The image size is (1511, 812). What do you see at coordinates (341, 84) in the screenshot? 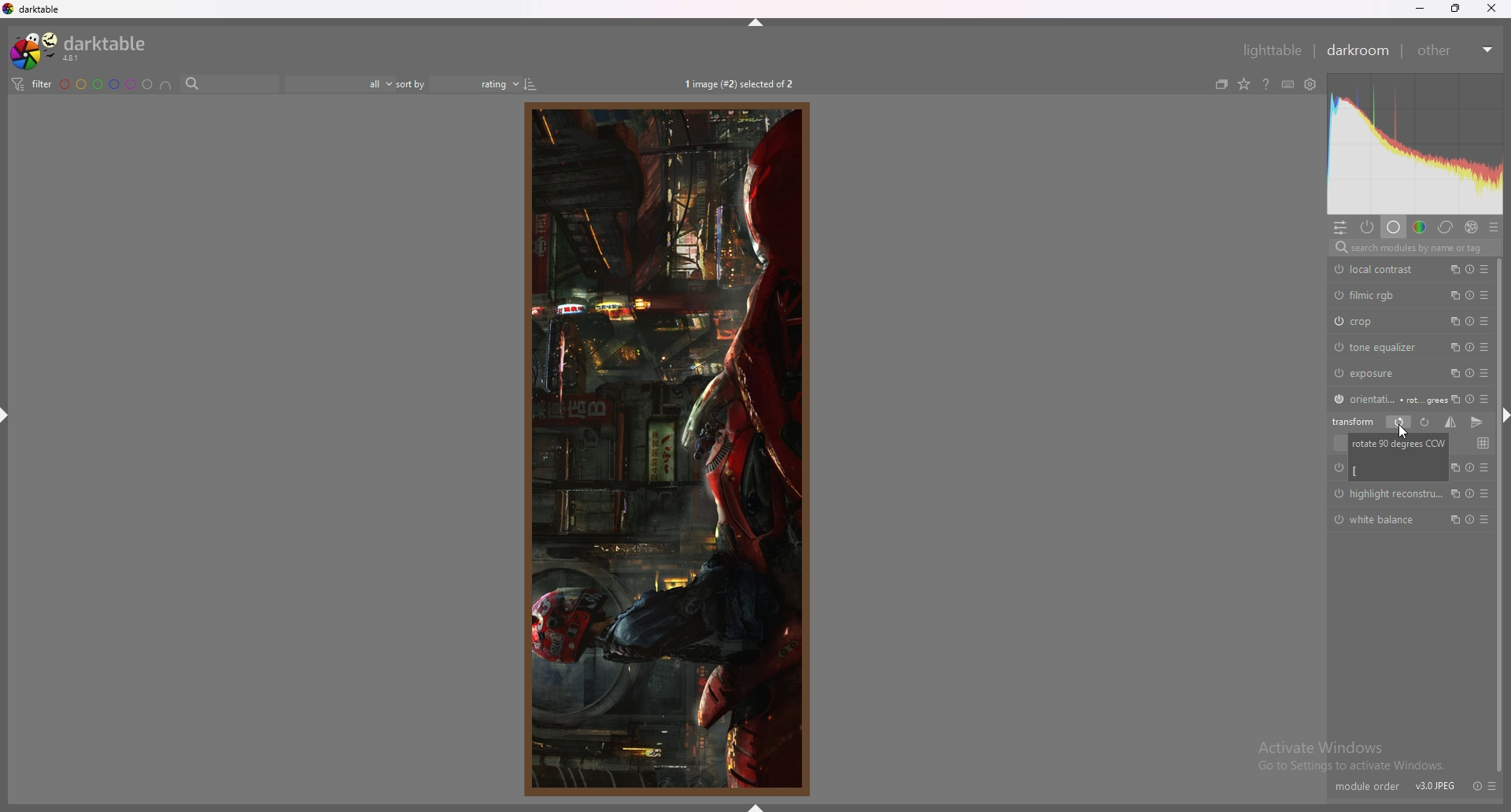
I see `filter by images rating` at bounding box center [341, 84].